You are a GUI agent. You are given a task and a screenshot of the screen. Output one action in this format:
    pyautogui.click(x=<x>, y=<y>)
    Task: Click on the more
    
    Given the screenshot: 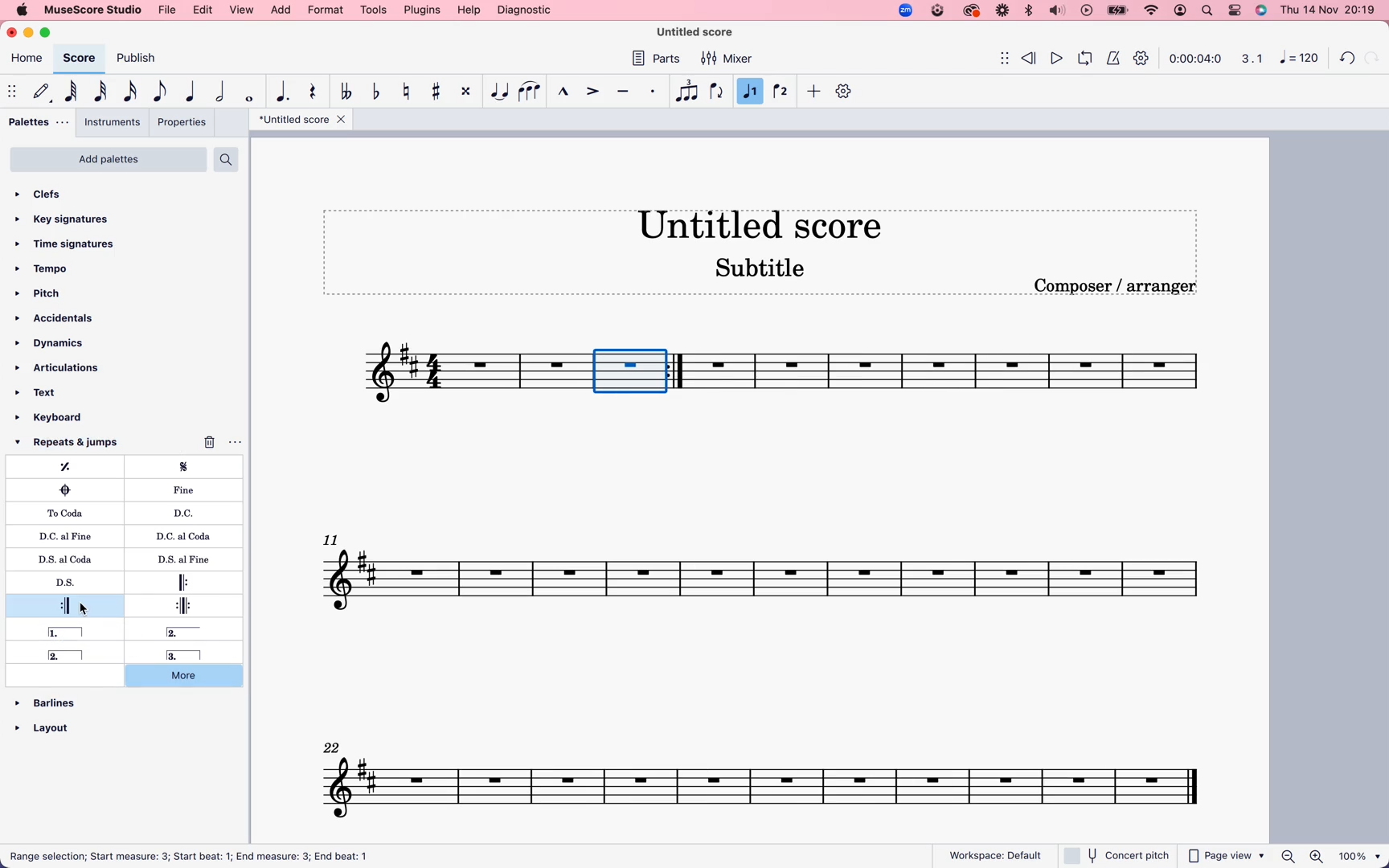 What is the action you would take?
    pyautogui.click(x=193, y=678)
    